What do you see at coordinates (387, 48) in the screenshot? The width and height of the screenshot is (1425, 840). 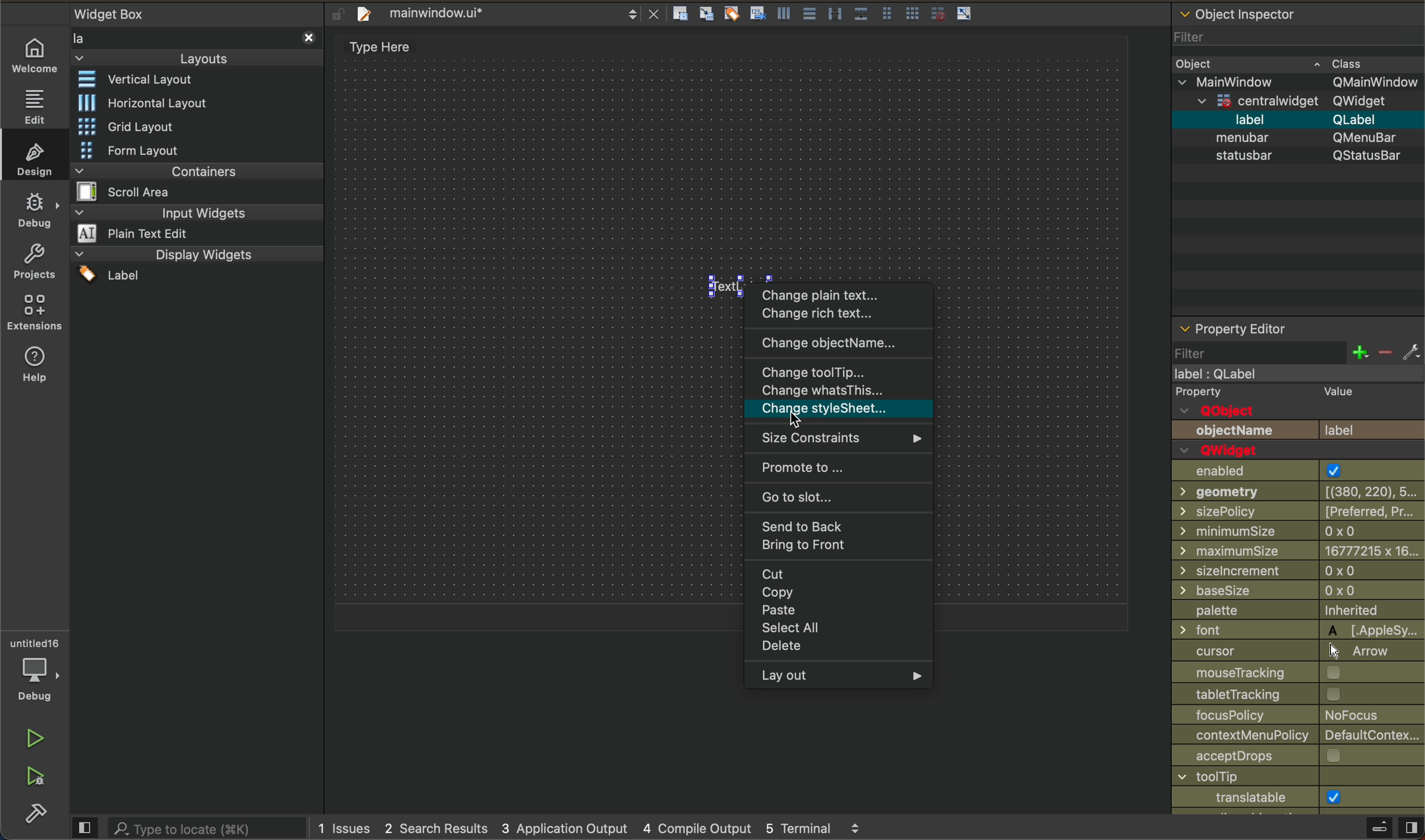 I see `type here ` at bounding box center [387, 48].